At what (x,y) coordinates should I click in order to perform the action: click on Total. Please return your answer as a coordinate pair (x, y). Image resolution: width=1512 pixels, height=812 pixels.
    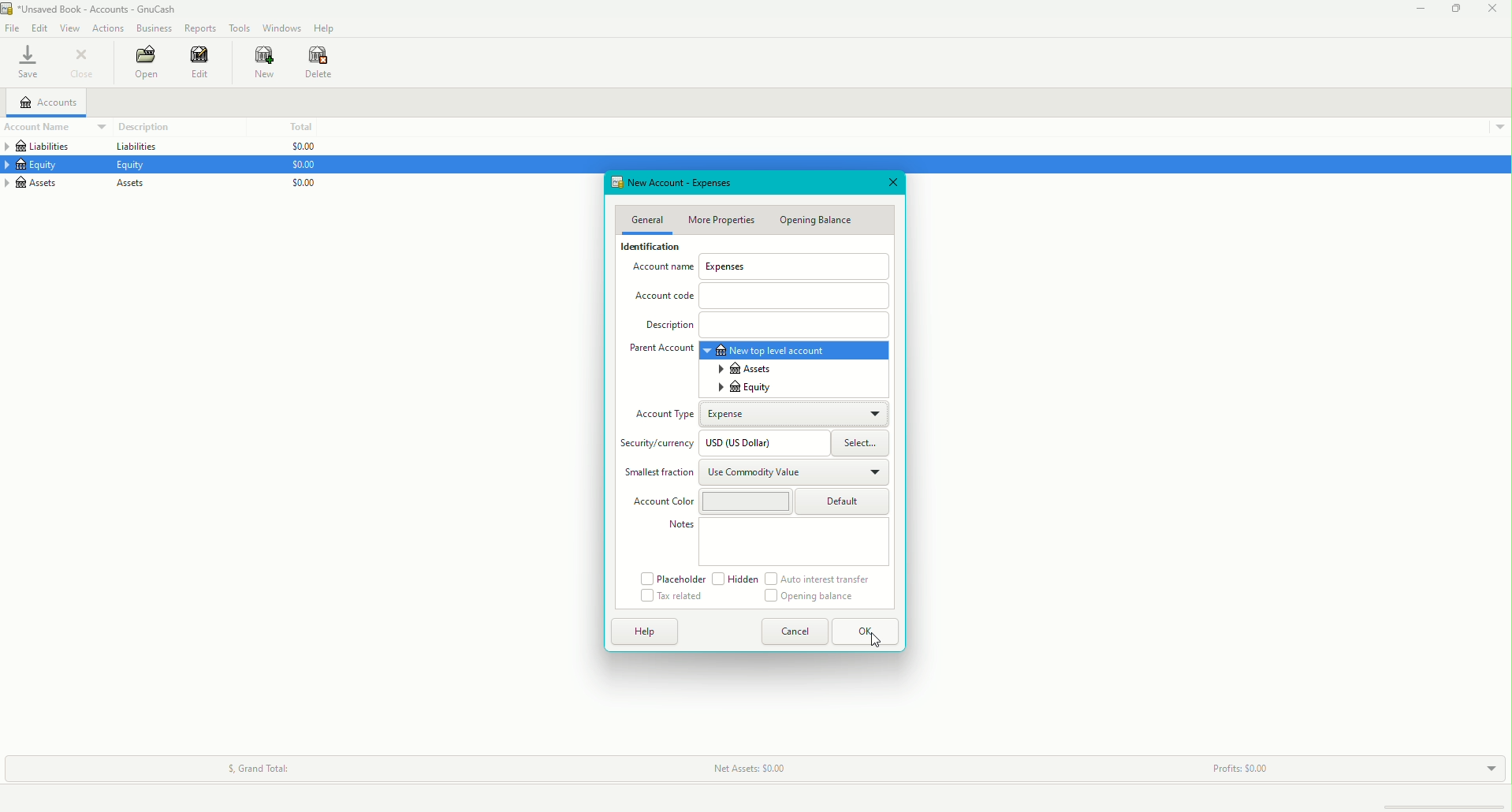
    Looking at the image, I should click on (300, 126).